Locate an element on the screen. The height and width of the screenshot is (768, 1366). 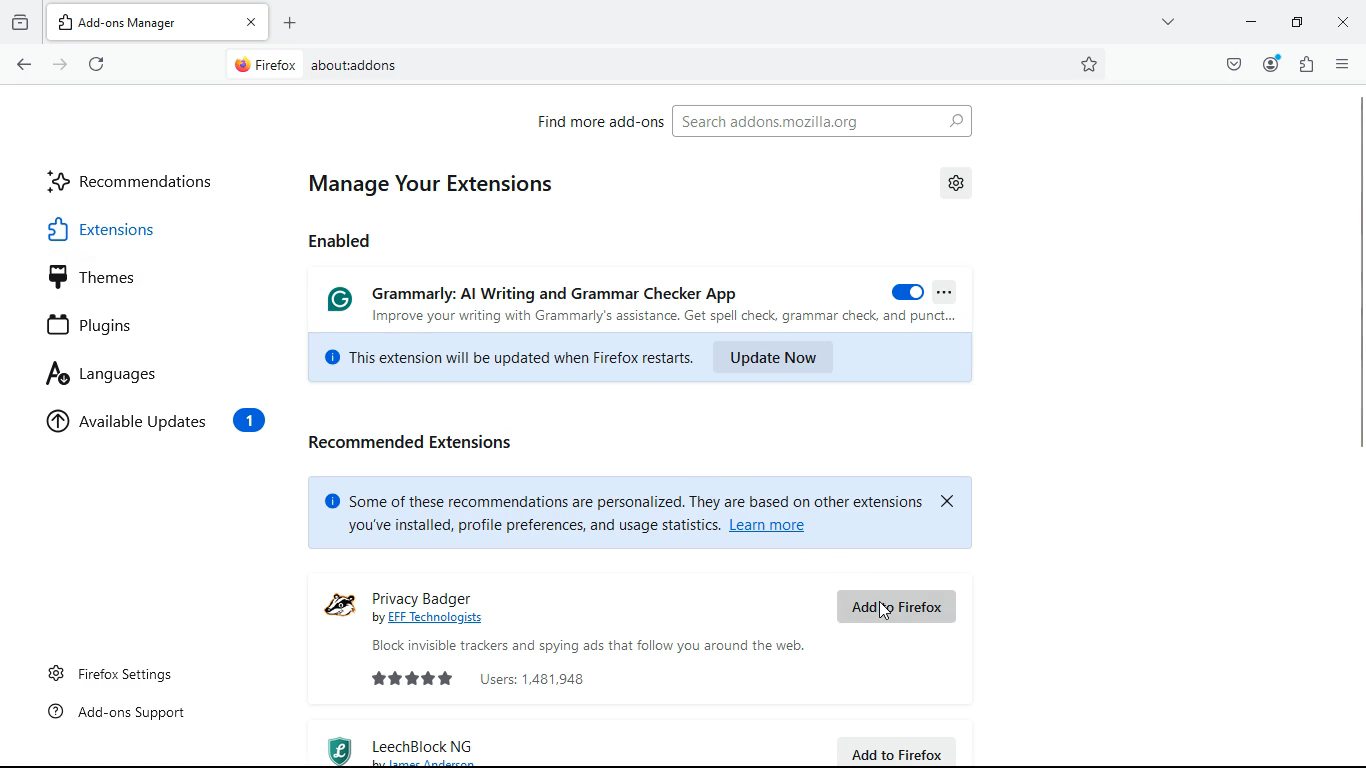
Search addons.mozilla.org is located at coordinates (820, 121).